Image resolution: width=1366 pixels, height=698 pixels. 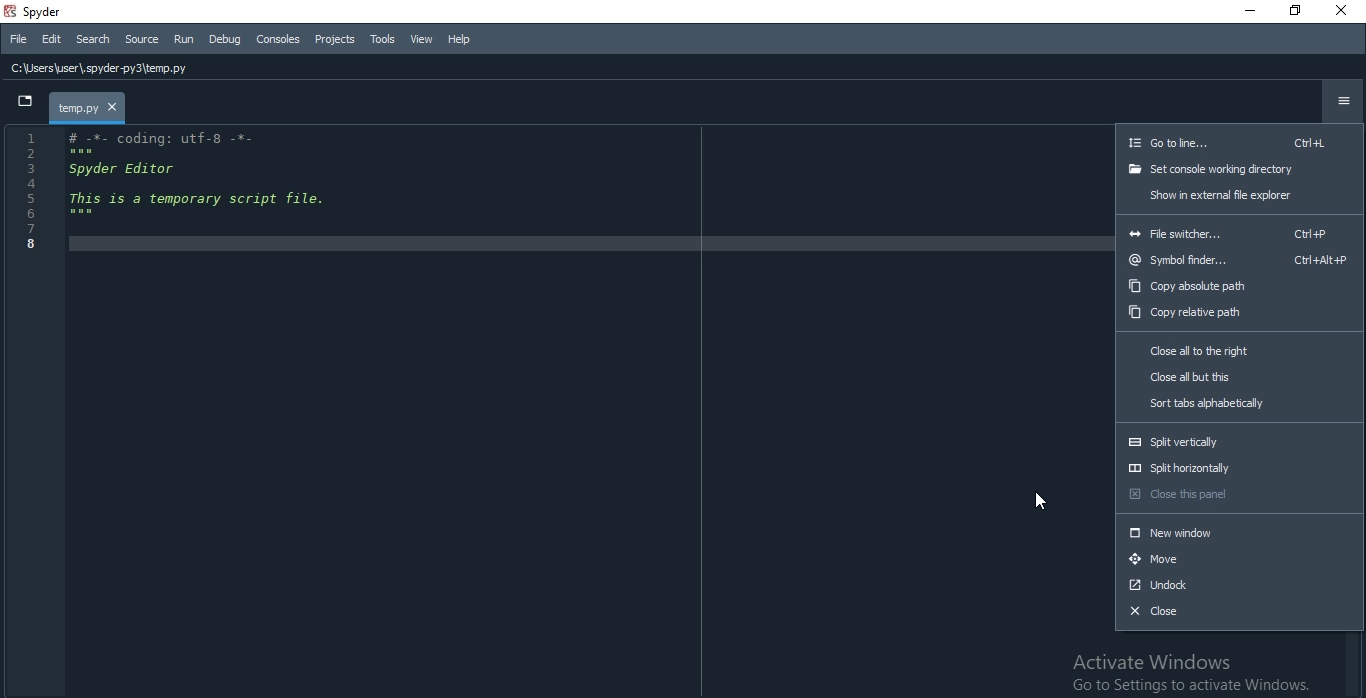 What do you see at coordinates (1240, 169) in the screenshot?
I see `set console working directory` at bounding box center [1240, 169].